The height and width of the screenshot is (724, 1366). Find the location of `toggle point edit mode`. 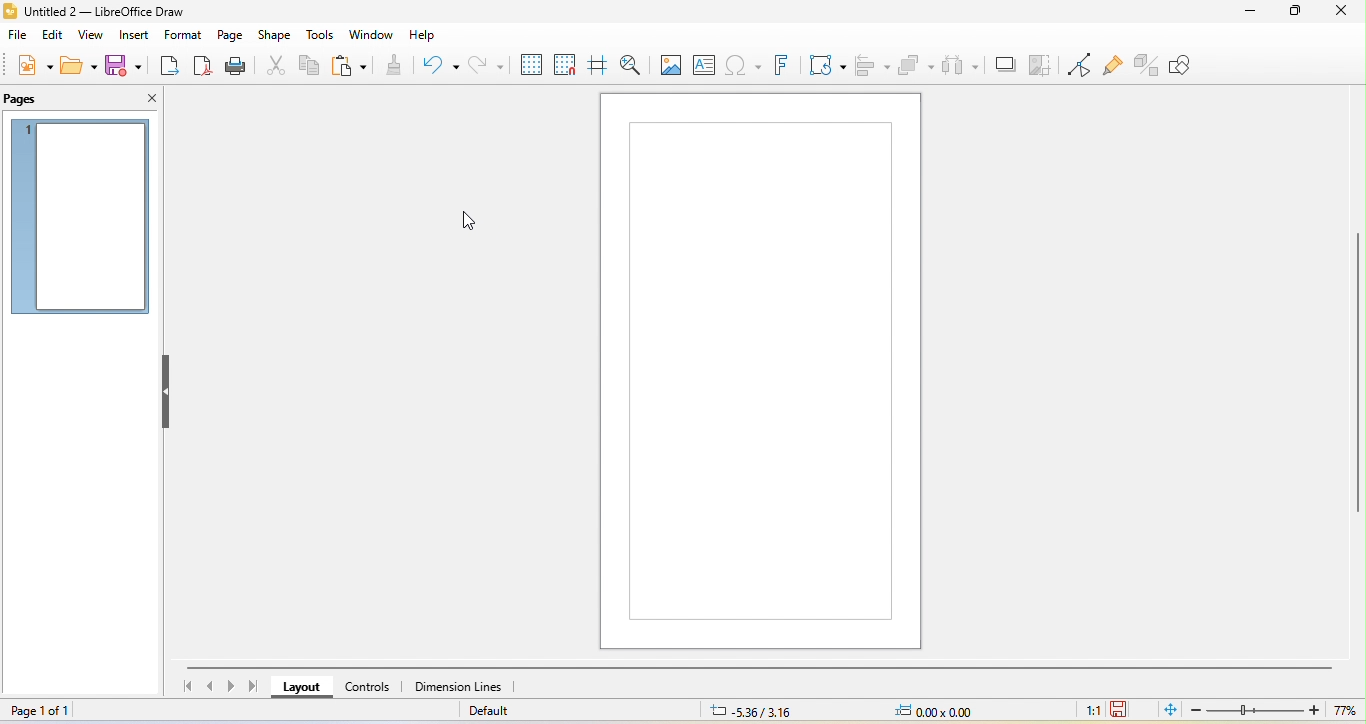

toggle point edit mode is located at coordinates (1078, 65).